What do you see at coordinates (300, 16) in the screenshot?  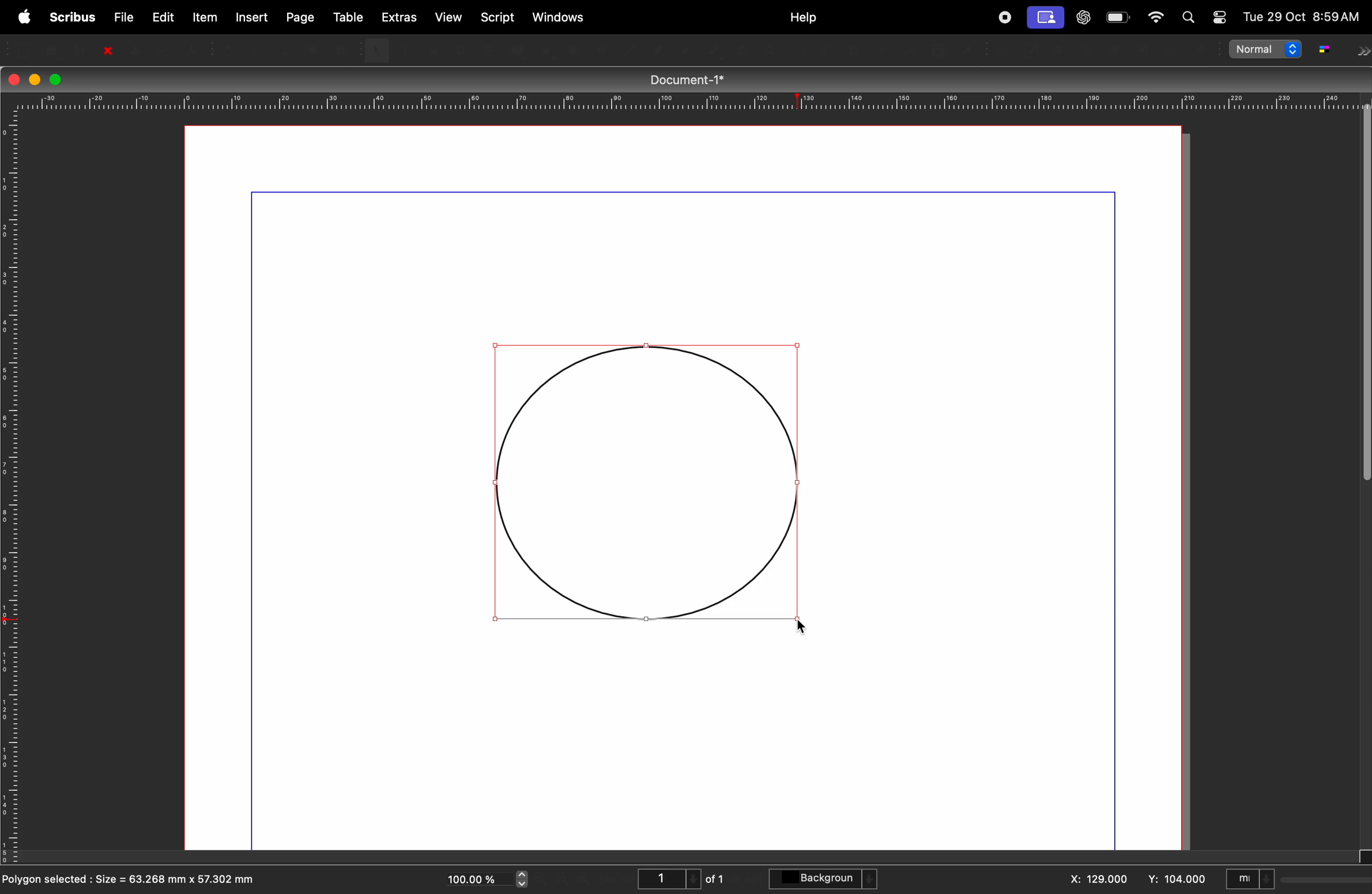 I see `page` at bounding box center [300, 16].